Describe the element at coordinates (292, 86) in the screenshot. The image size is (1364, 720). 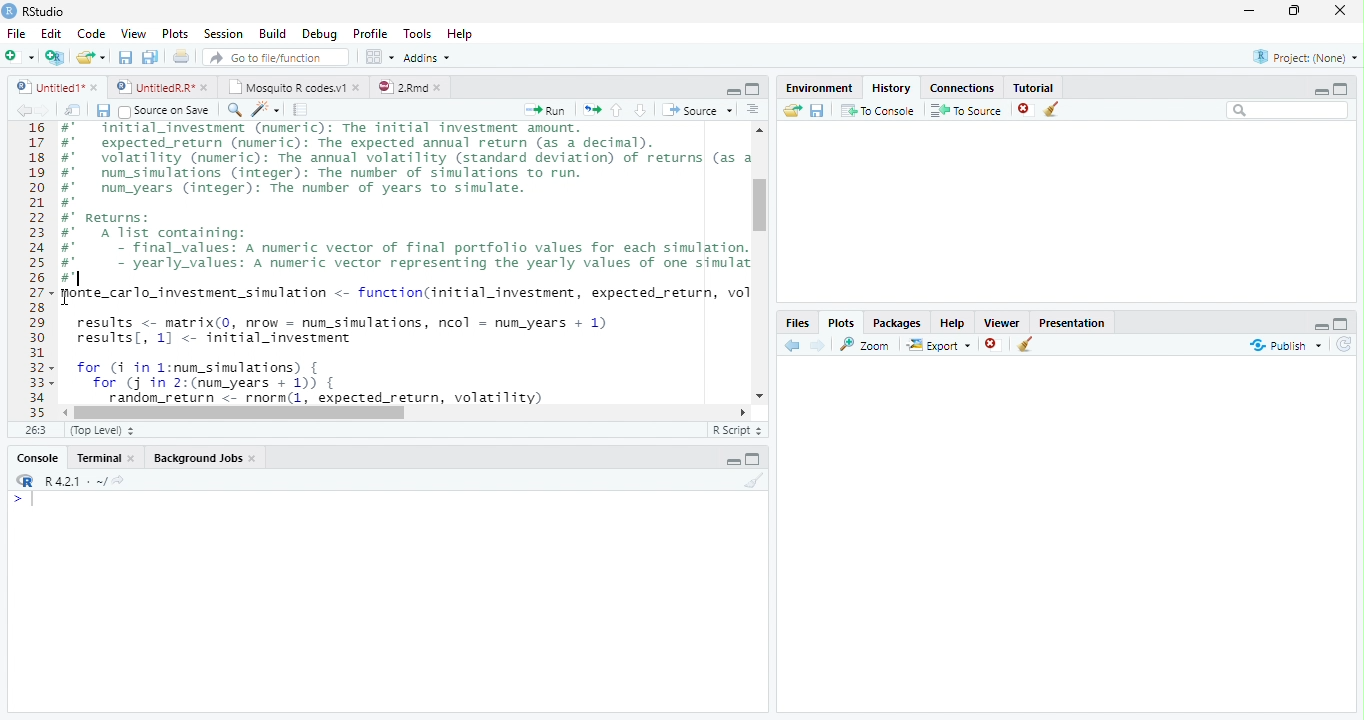
I see `Mosquito R codes.v1` at that location.